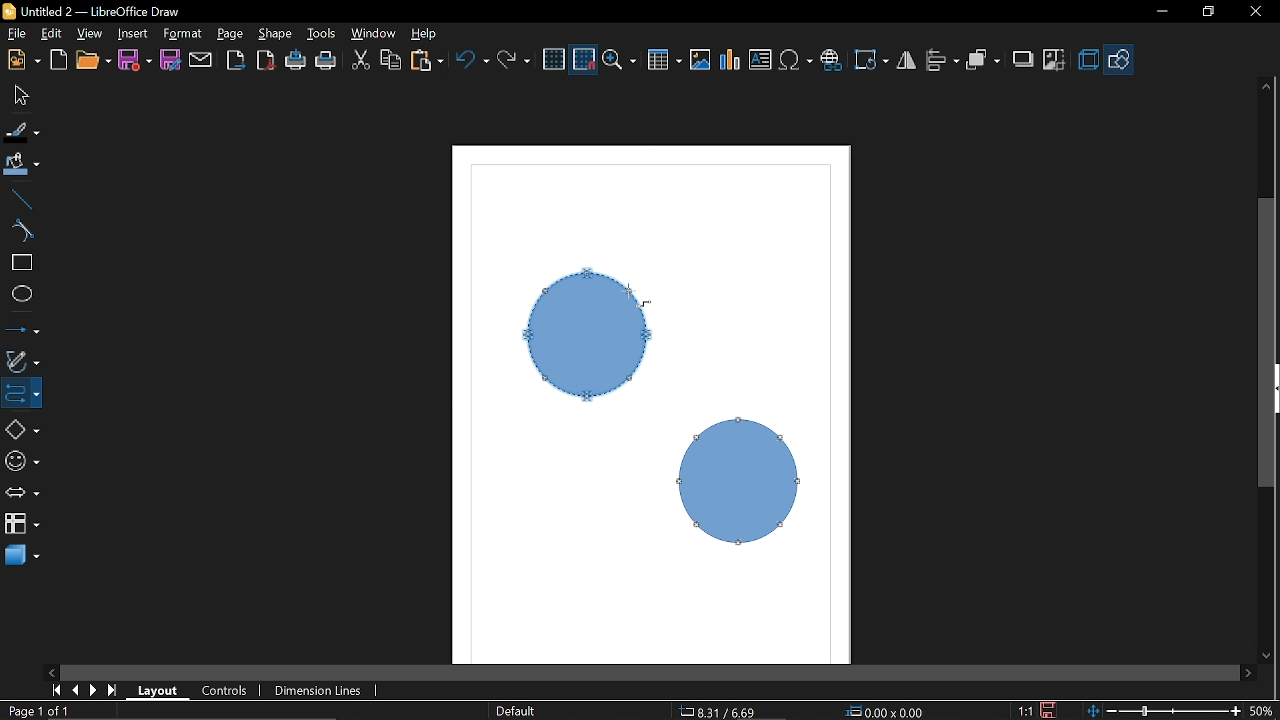  Describe the element at coordinates (1090, 60) in the screenshot. I see `3d effects` at that location.